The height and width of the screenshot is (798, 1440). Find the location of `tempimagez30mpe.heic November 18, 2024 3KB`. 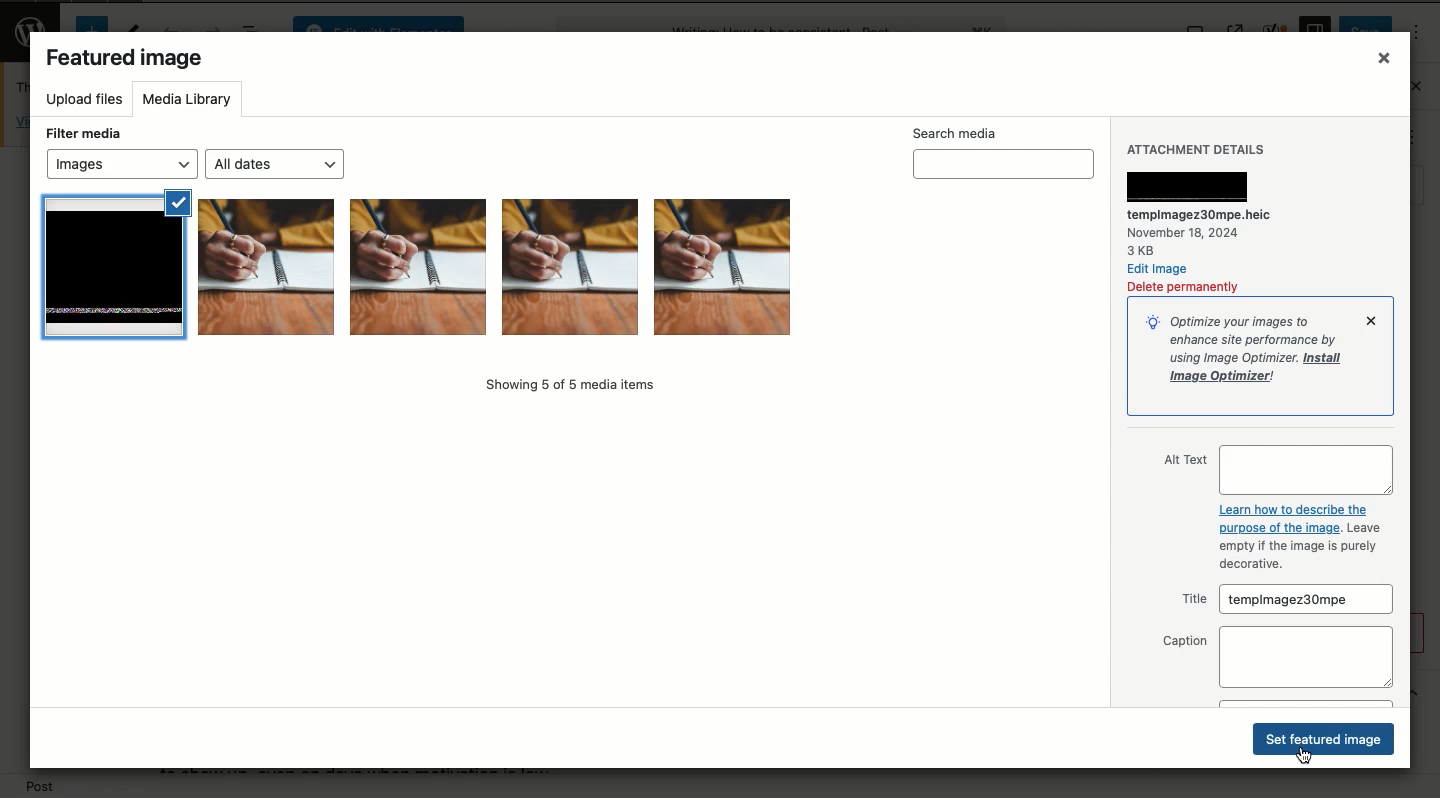

tempimagez30mpe.heic November 18, 2024 3KB is located at coordinates (1199, 232).